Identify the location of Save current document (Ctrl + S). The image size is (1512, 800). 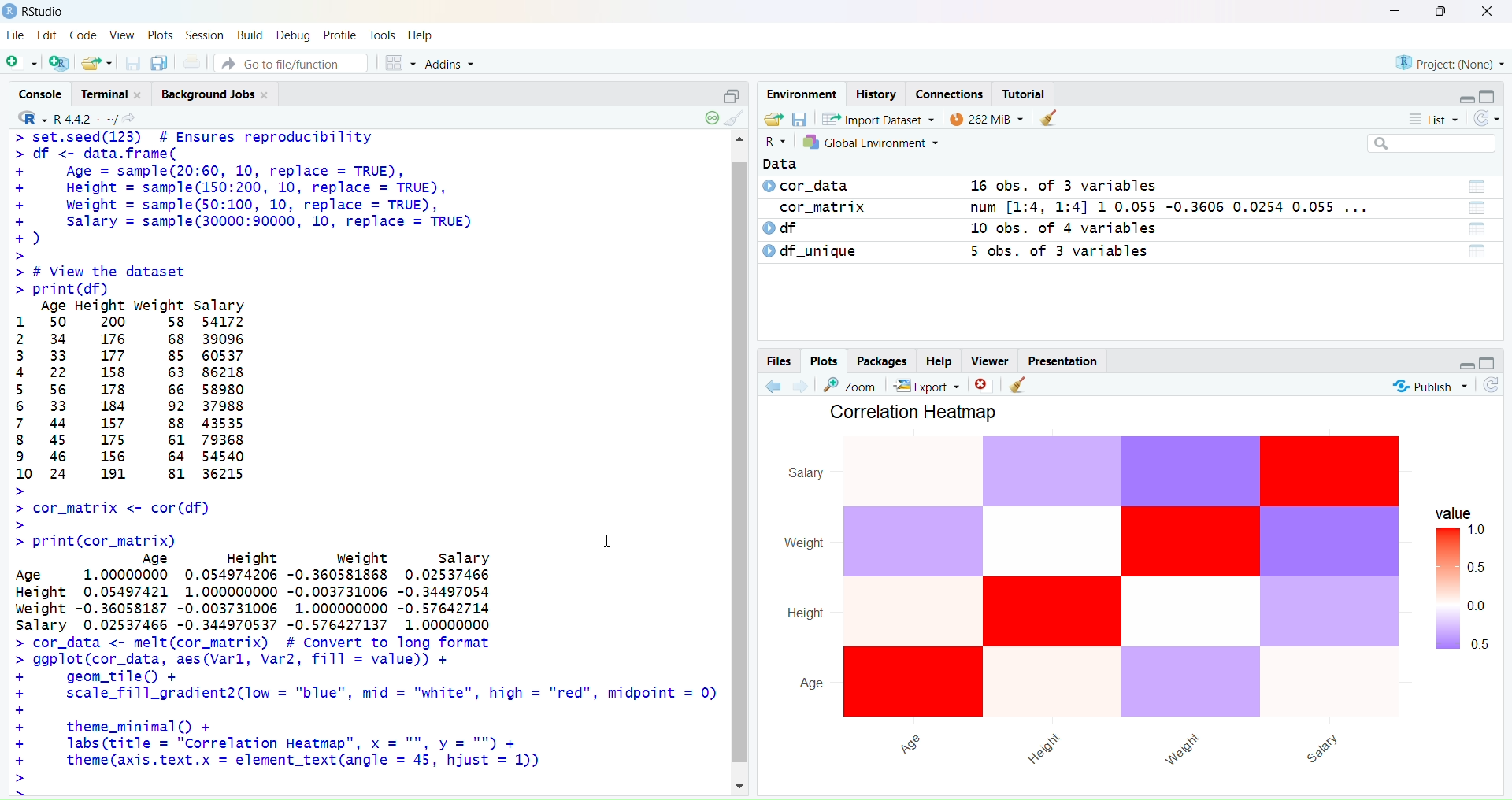
(132, 63).